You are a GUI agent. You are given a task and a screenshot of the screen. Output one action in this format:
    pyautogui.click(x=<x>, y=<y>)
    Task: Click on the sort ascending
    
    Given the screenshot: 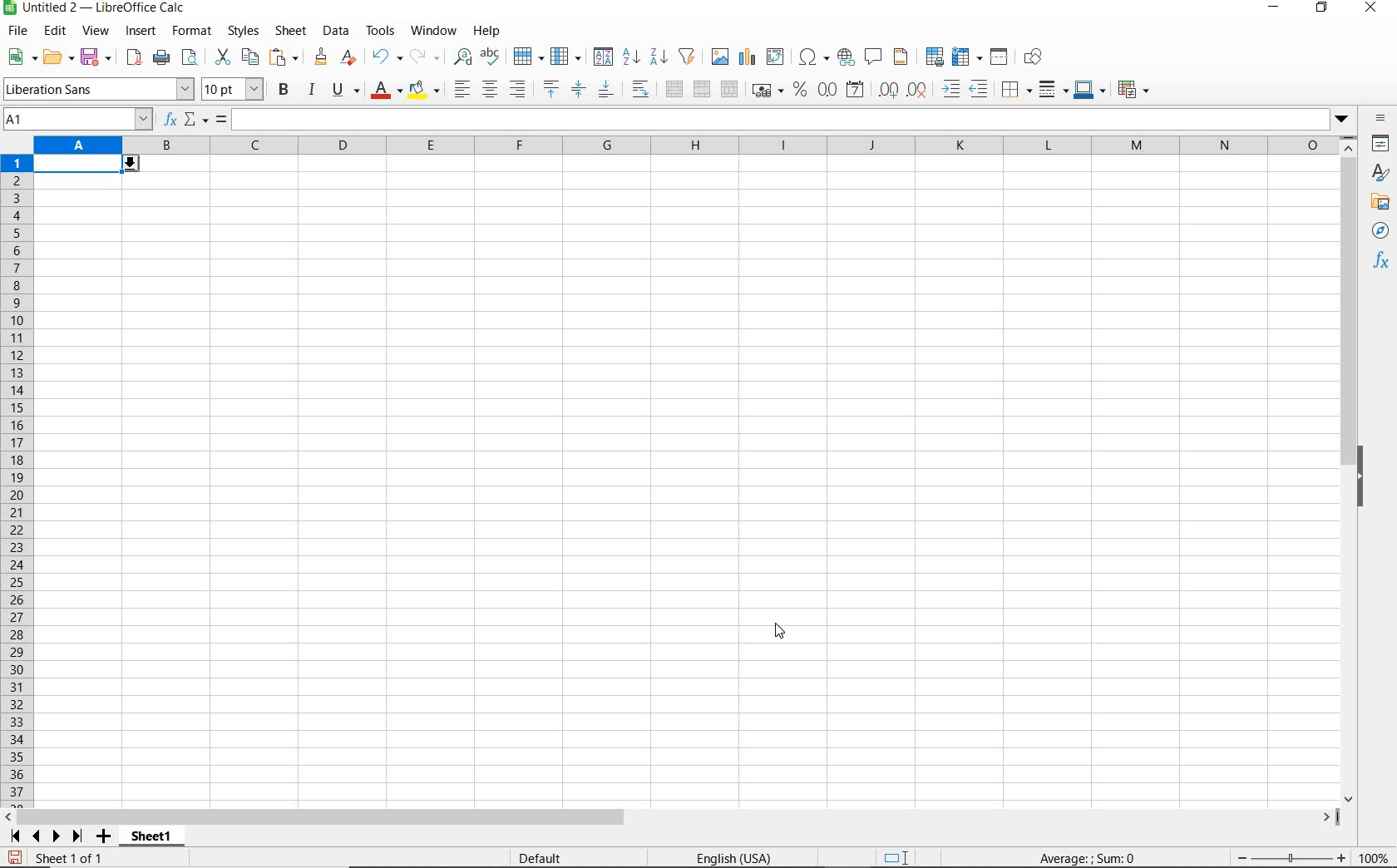 What is the action you would take?
    pyautogui.click(x=631, y=58)
    